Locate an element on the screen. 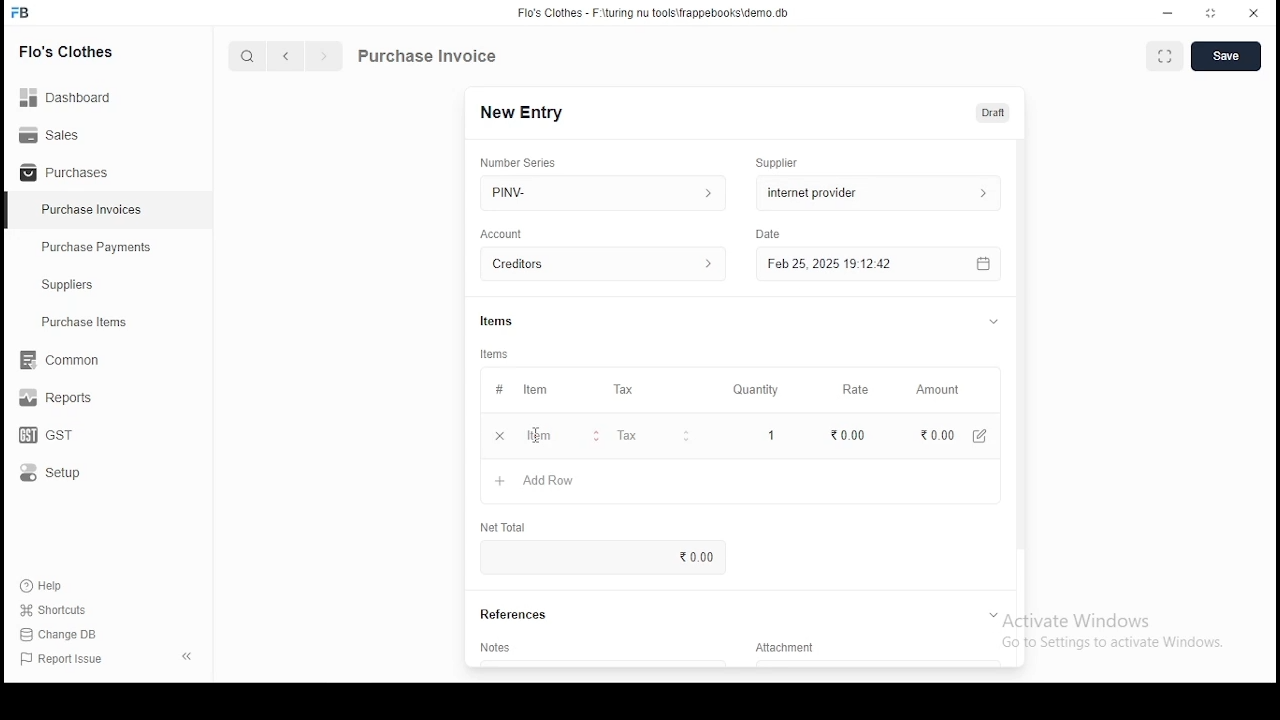 This screenshot has width=1280, height=720. flo's clothes is located at coordinates (69, 51).